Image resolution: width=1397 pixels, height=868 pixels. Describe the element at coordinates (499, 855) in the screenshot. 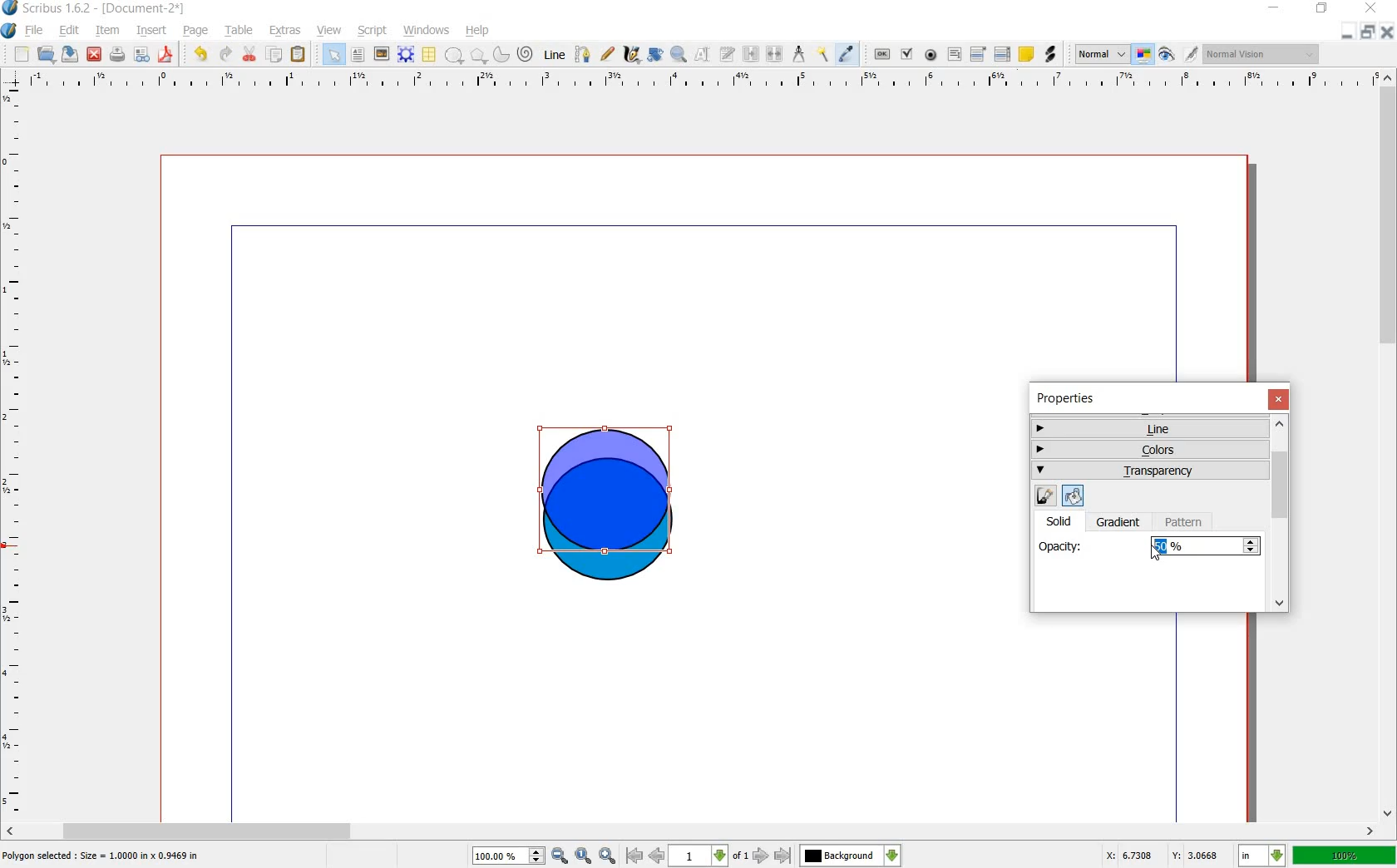

I see `100%` at that location.